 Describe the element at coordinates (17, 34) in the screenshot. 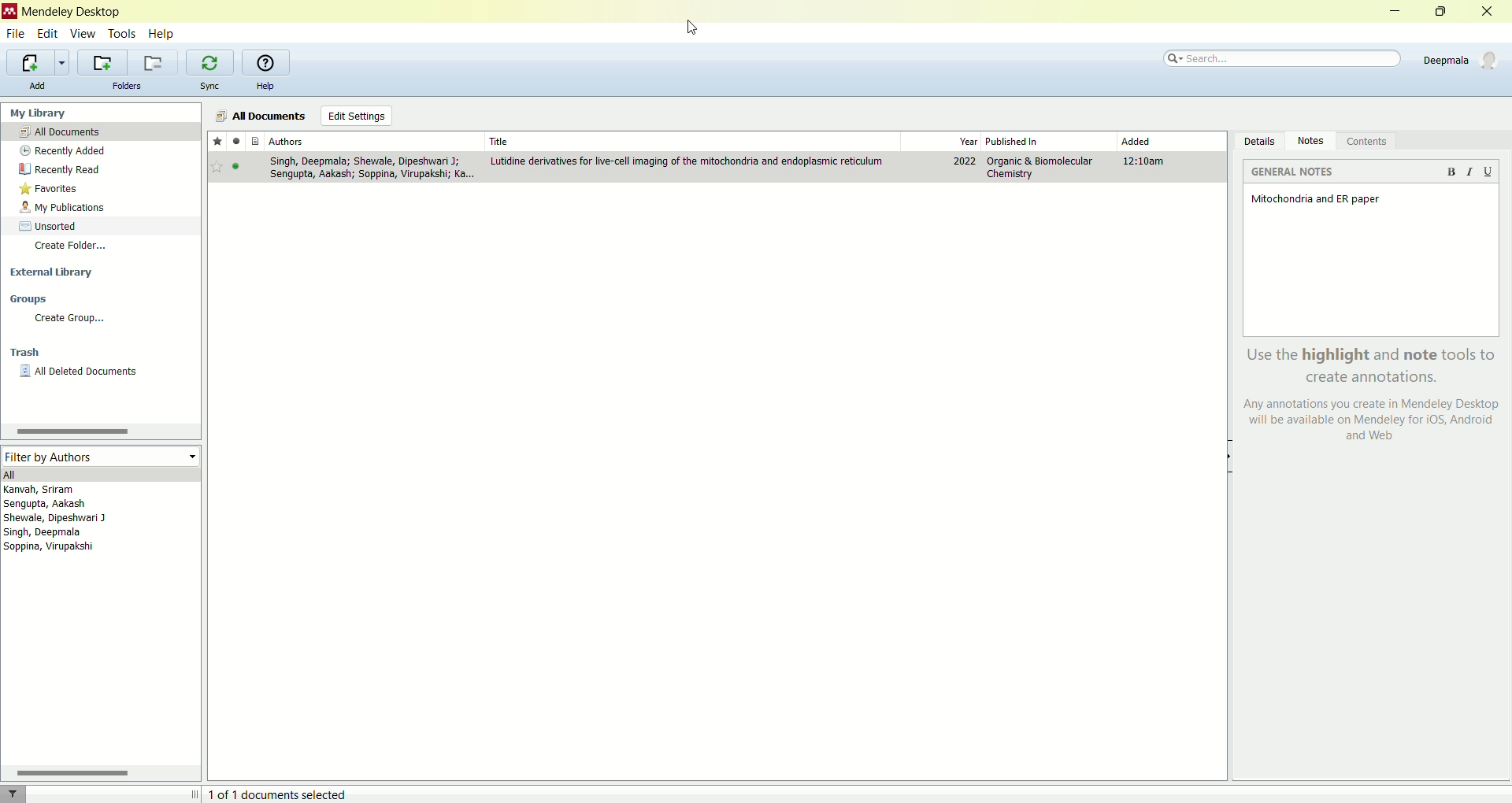

I see `file` at that location.